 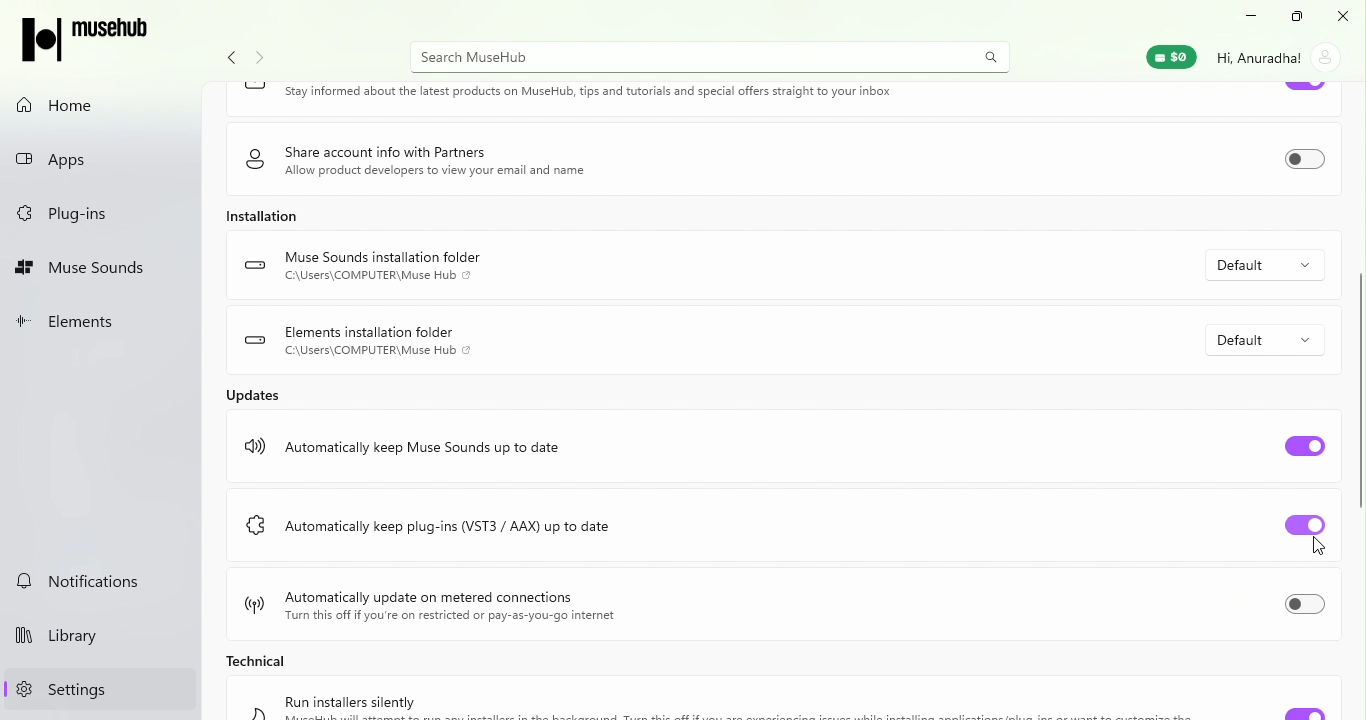 I want to click on Home, so click(x=100, y=106).